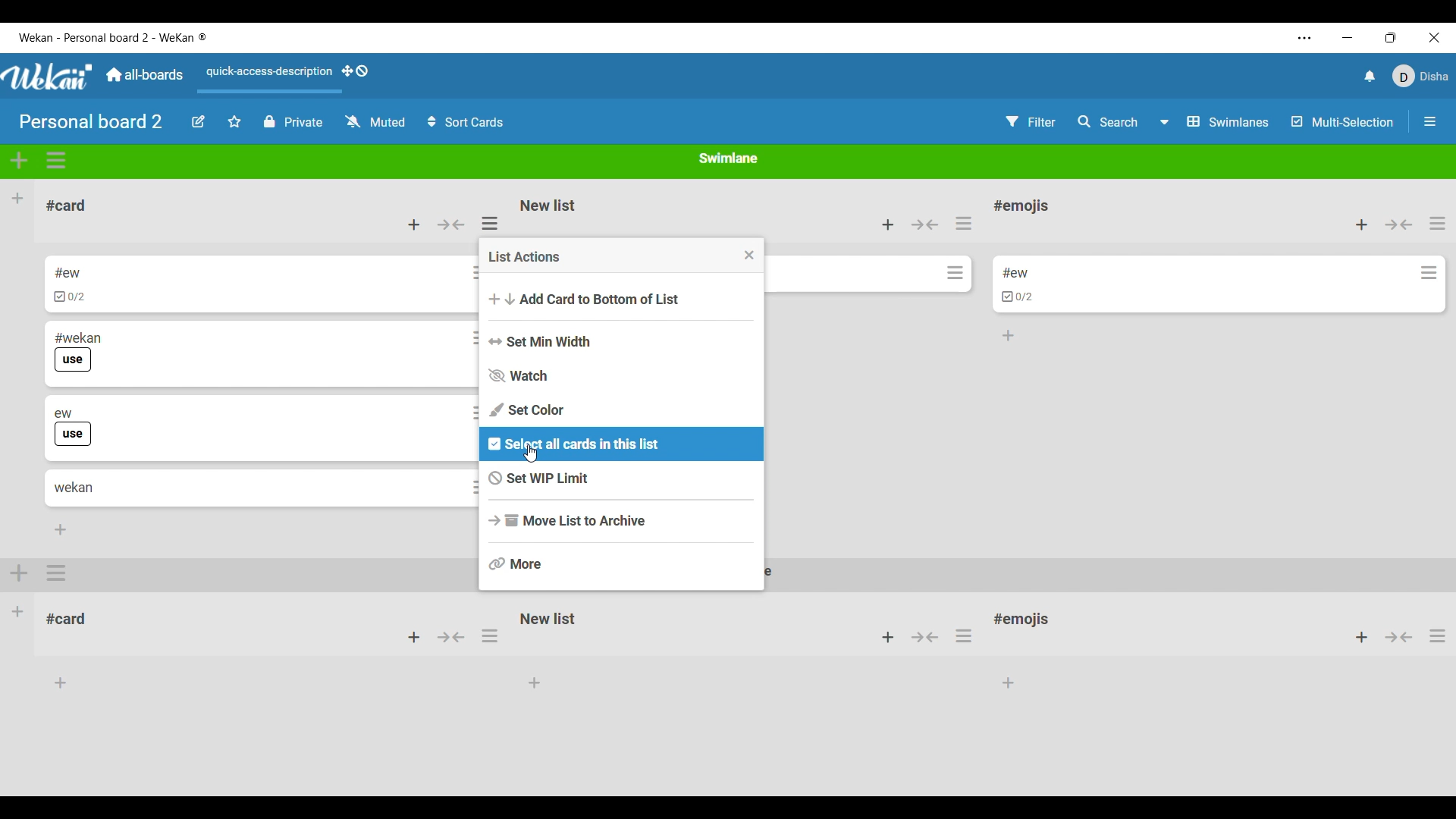  What do you see at coordinates (465, 382) in the screenshot?
I see `Card actions for respective card in the list` at bounding box center [465, 382].